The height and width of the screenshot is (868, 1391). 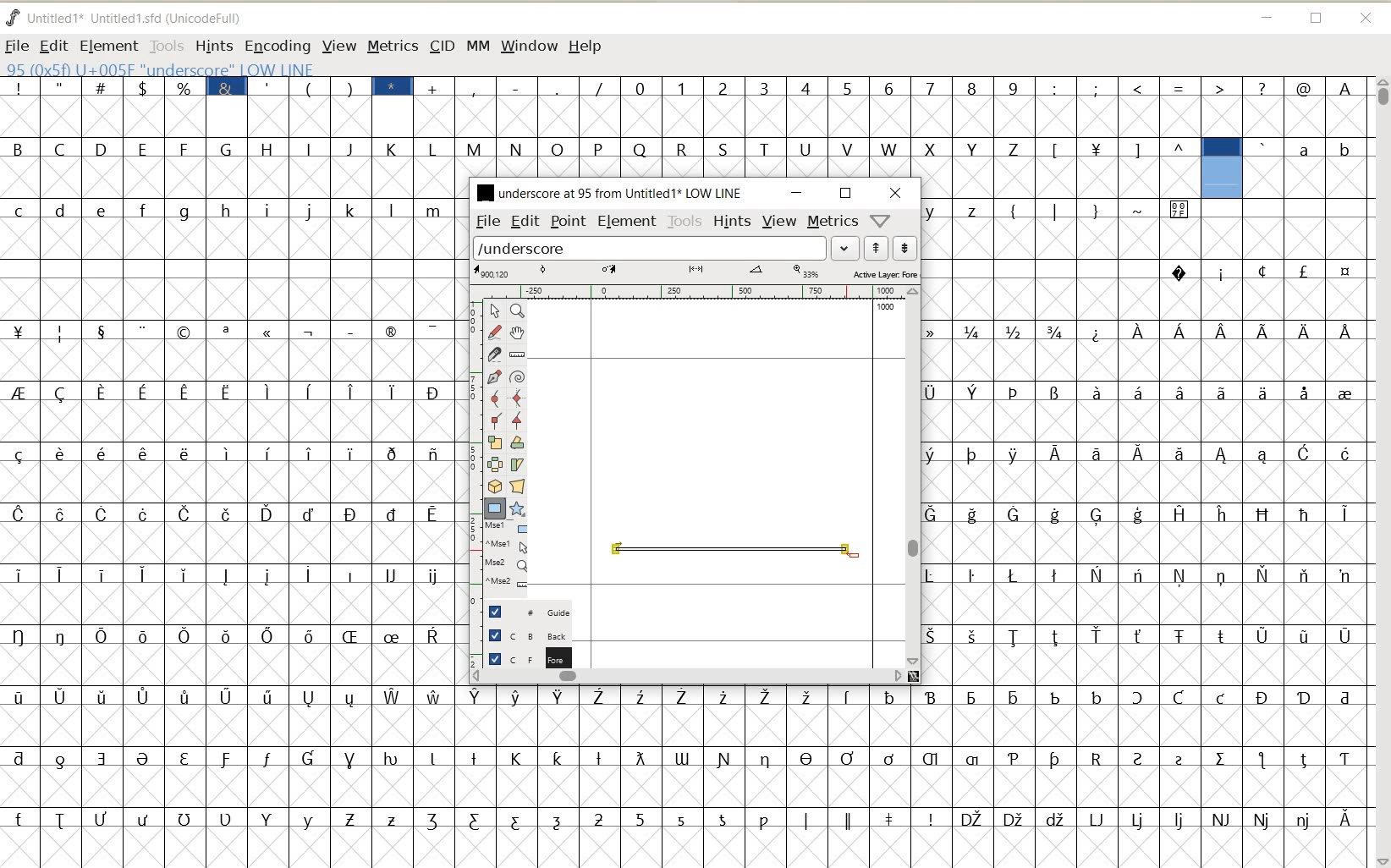 What do you see at coordinates (1284, 524) in the screenshot?
I see `GLYPHY CHARACTERS` at bounding box center [1284, 524].